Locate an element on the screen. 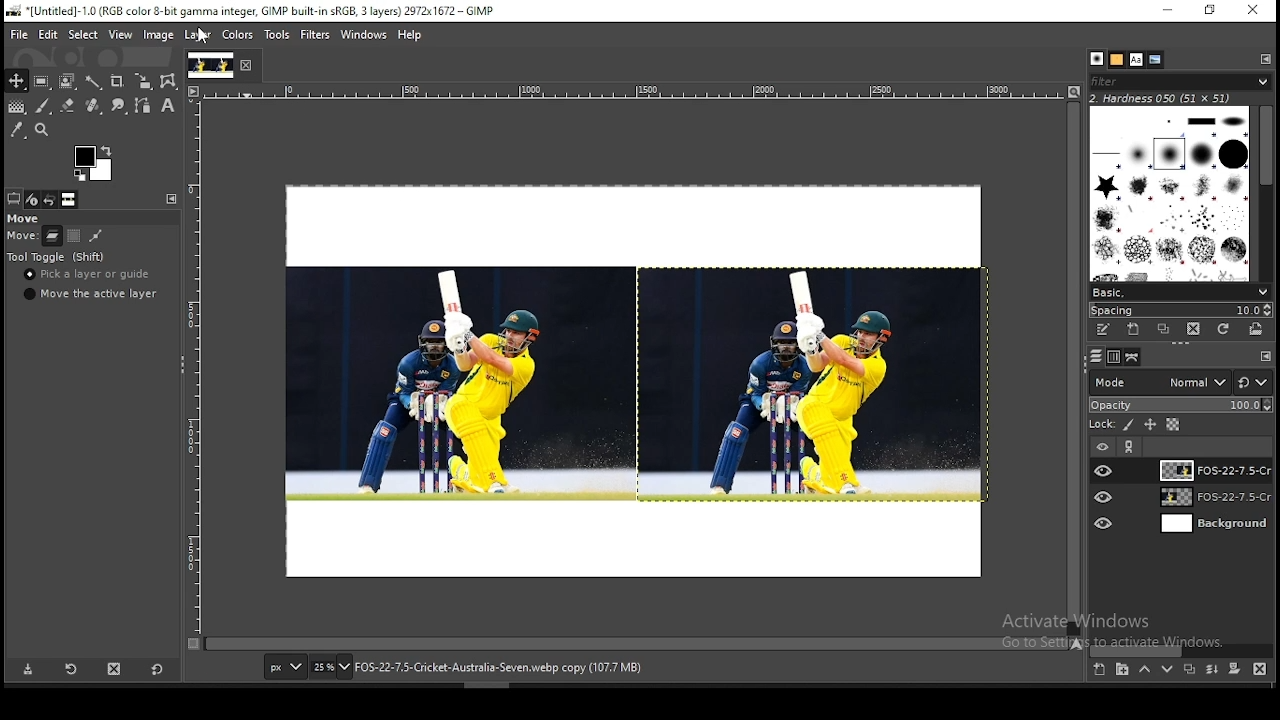 The width and height of the screenshot is (1280, 720). spacing is located at coordinates (1180, 309).